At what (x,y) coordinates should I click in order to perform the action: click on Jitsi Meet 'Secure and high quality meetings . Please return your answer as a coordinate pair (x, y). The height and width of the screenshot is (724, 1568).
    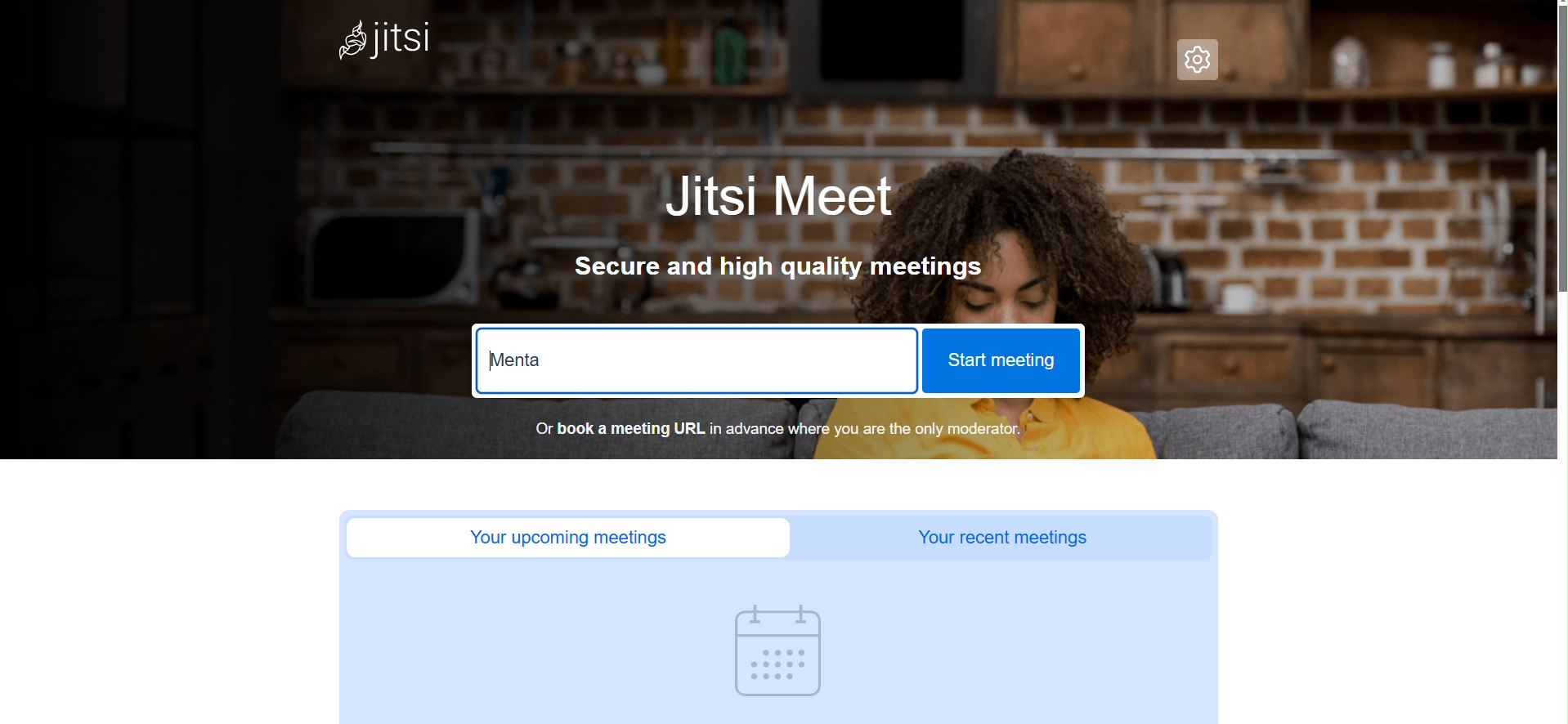
    Looking at the image, I should click on (795, 239).